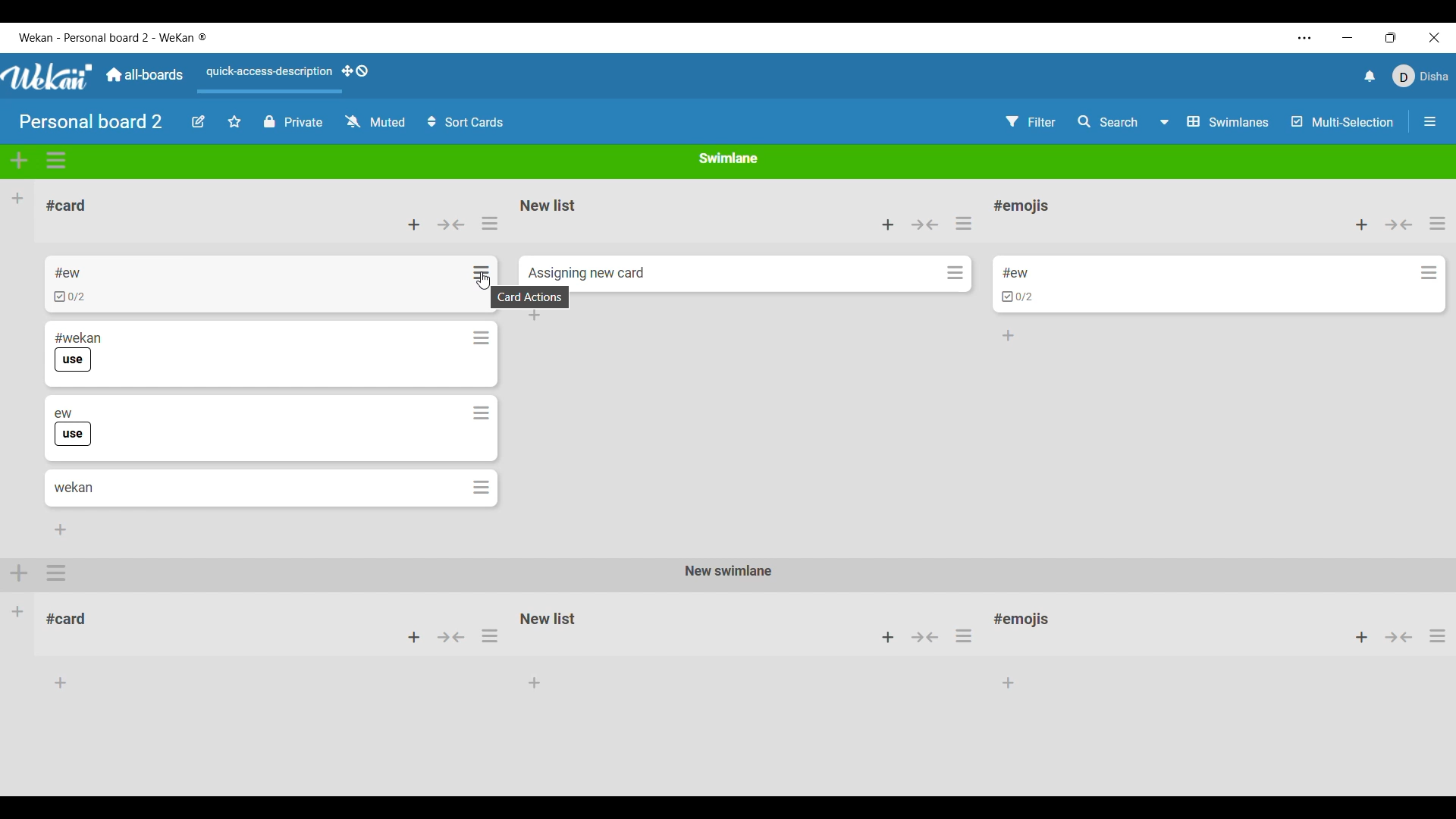 This screenshot has height=819, width=1456. What do you see at coordinates (491, 640) in the screenshot?
I see `options` at bounding box center [491, 640].